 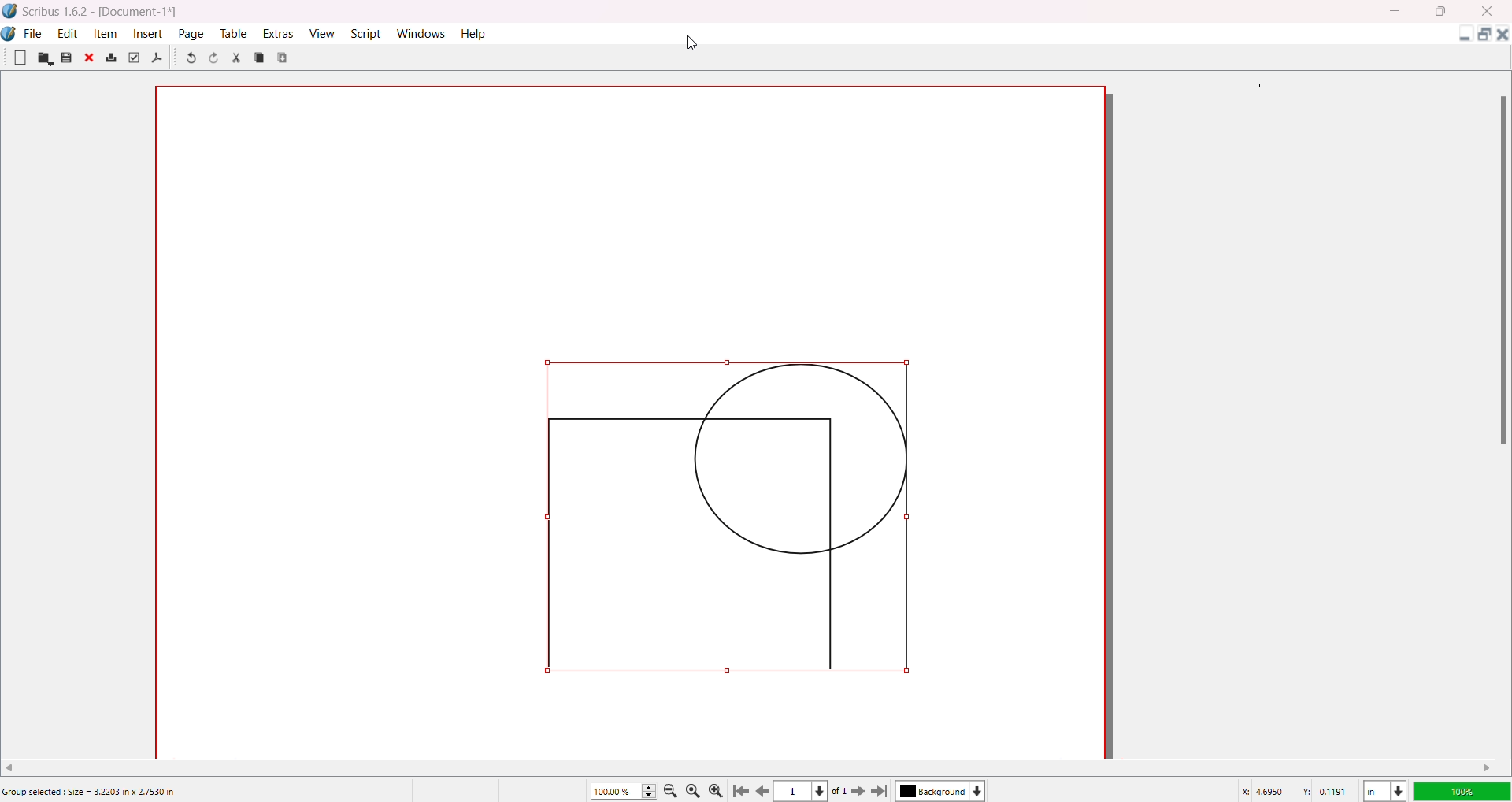 What do you see at coordinates (765, 793) in the screenshot?
I see `previous` at bounding box center [765, 793].